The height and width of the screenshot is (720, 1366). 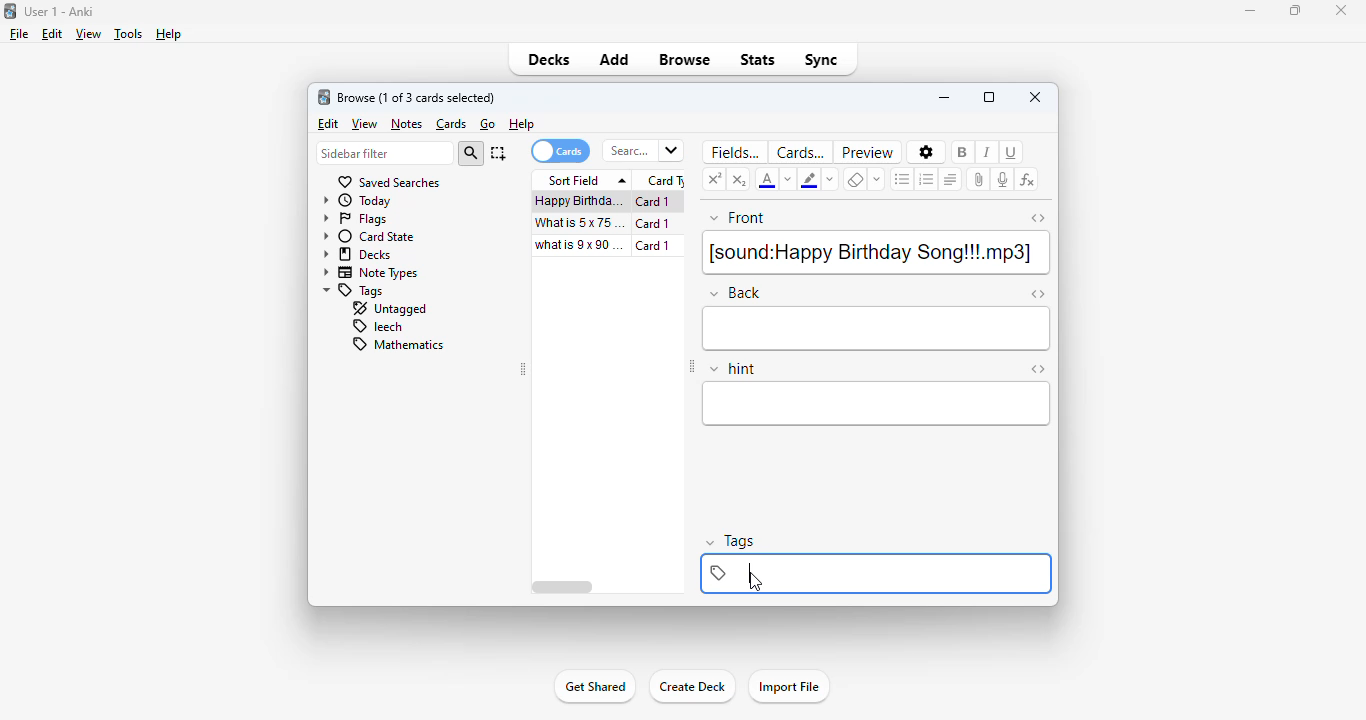 What do you see at coordinates (951, 179) in the screenshot?
I see `alignment` at bounding box center [951, 179].